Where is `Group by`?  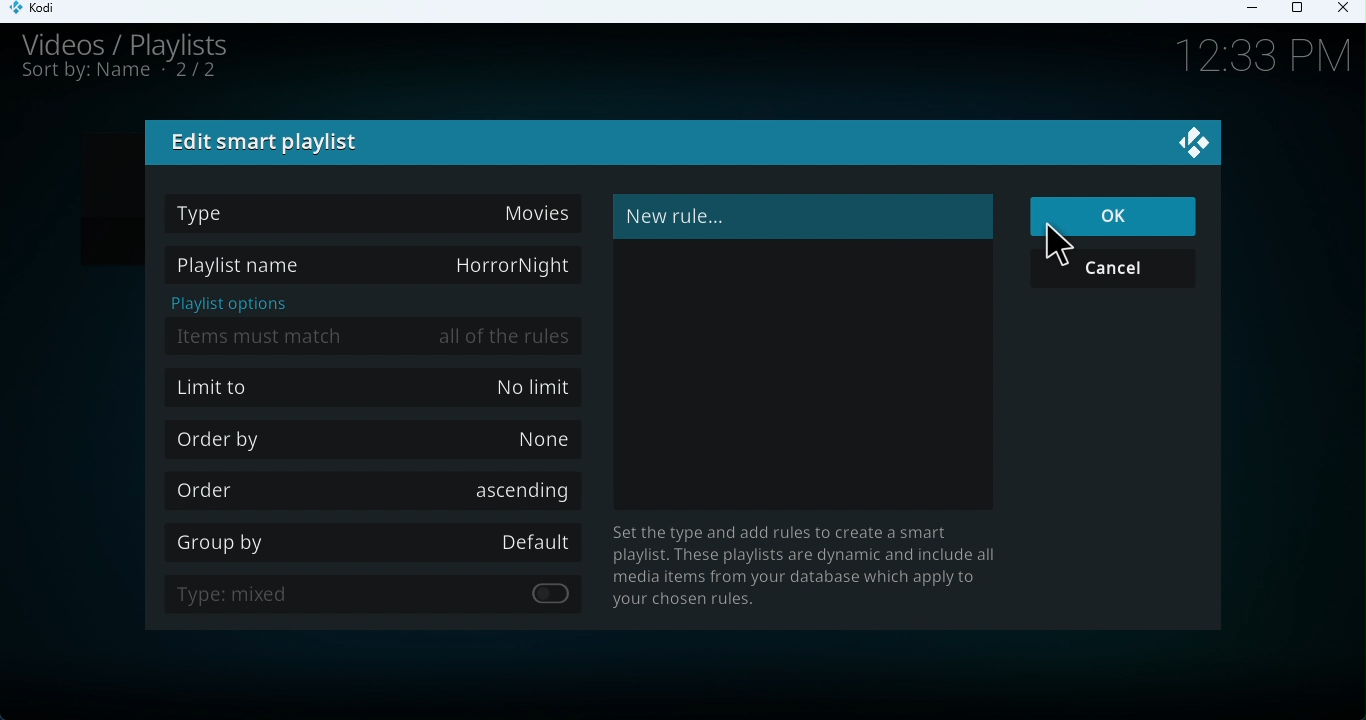 Group by is located at coordinates (378, 539).